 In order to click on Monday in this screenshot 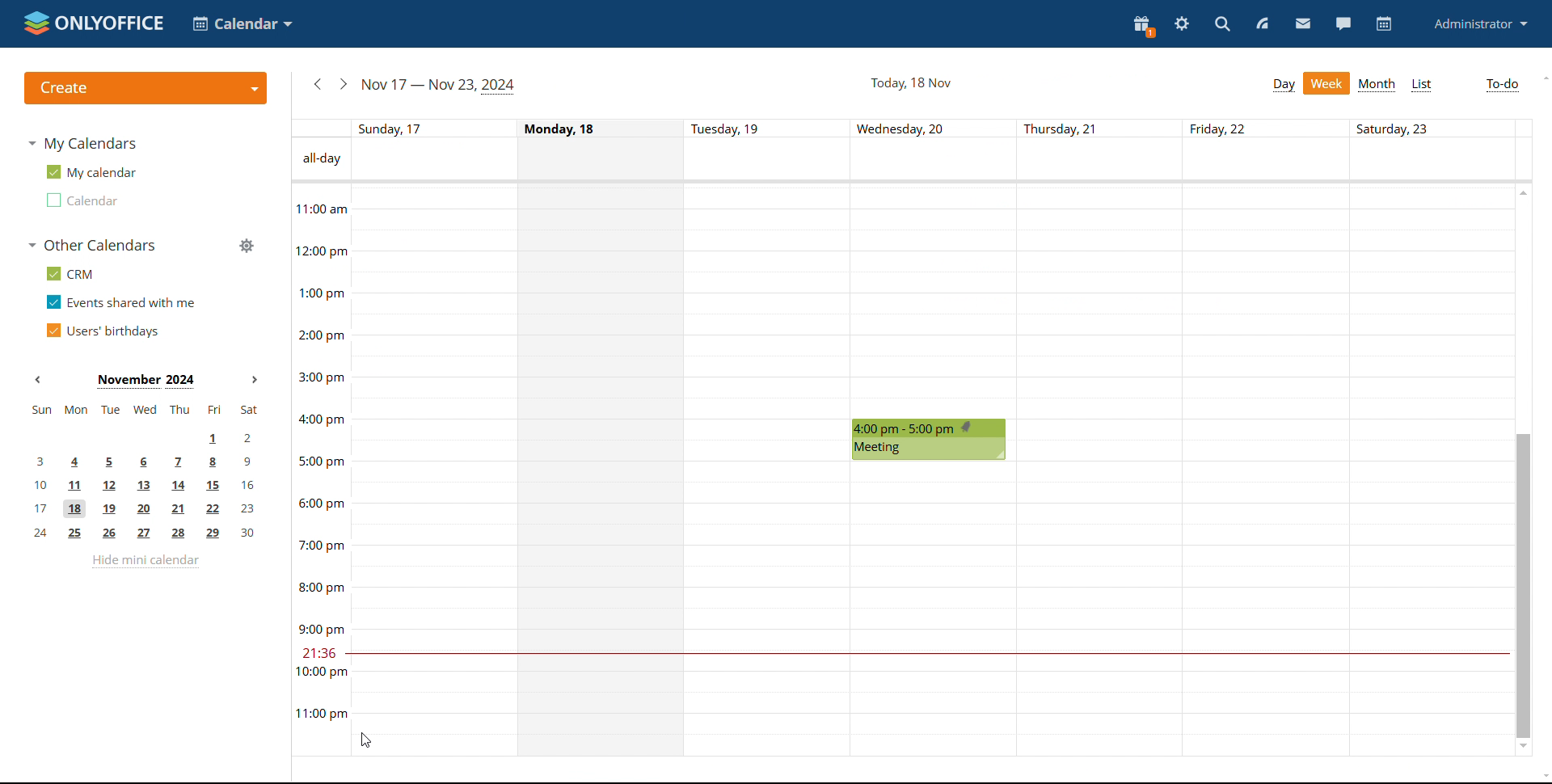, I will do `click(604, 470)`.